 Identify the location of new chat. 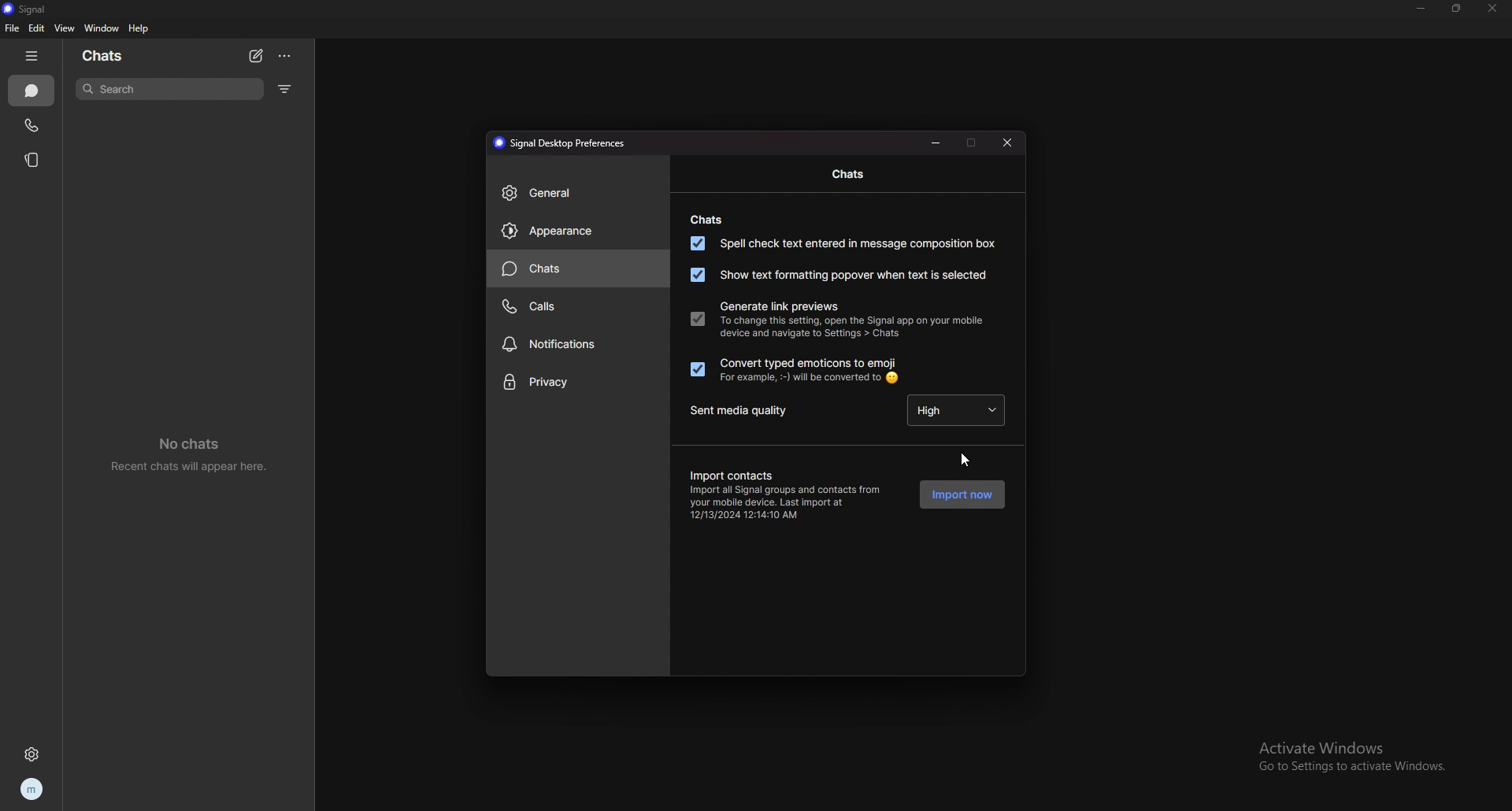
(256, 57).